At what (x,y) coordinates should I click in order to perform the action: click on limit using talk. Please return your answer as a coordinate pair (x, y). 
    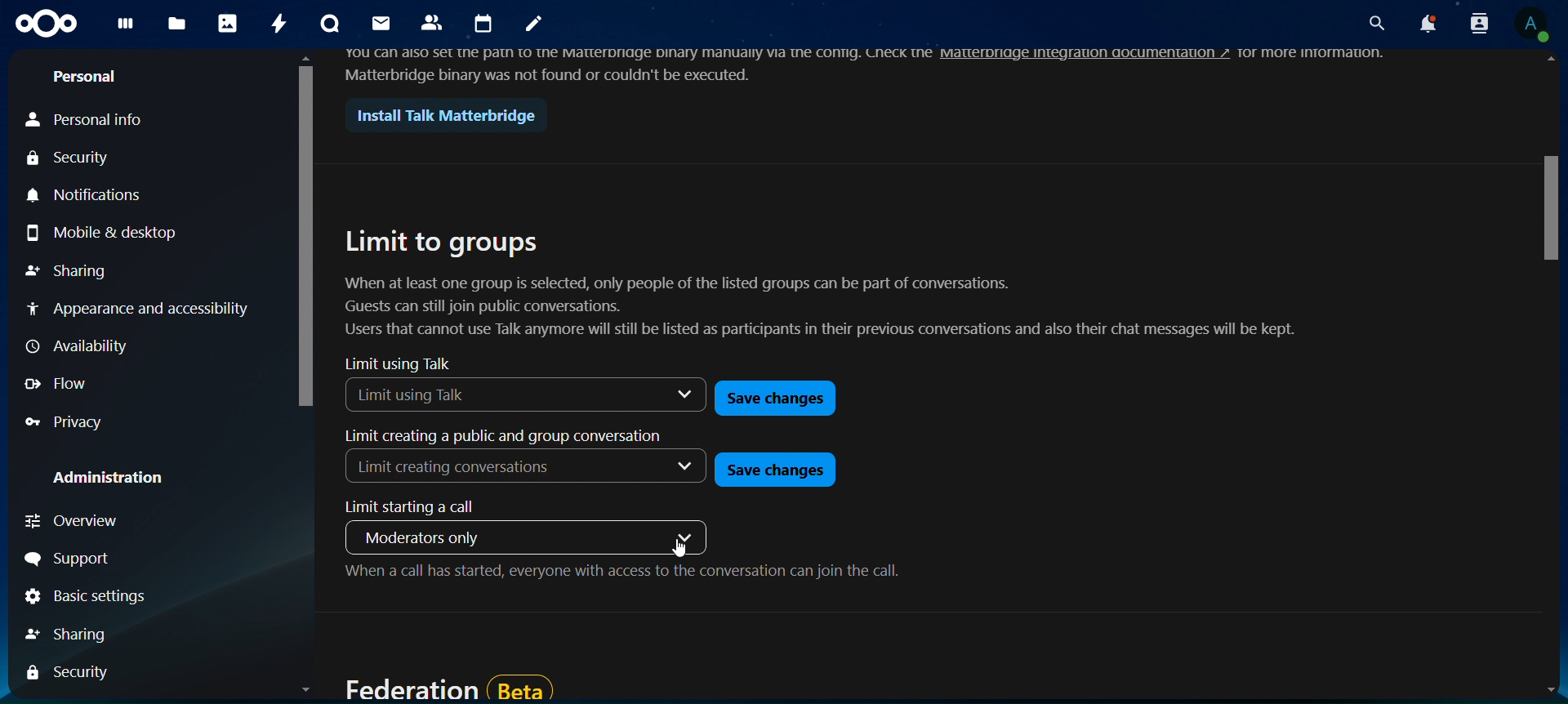
    Looking at the image, I should click on (399, 363).